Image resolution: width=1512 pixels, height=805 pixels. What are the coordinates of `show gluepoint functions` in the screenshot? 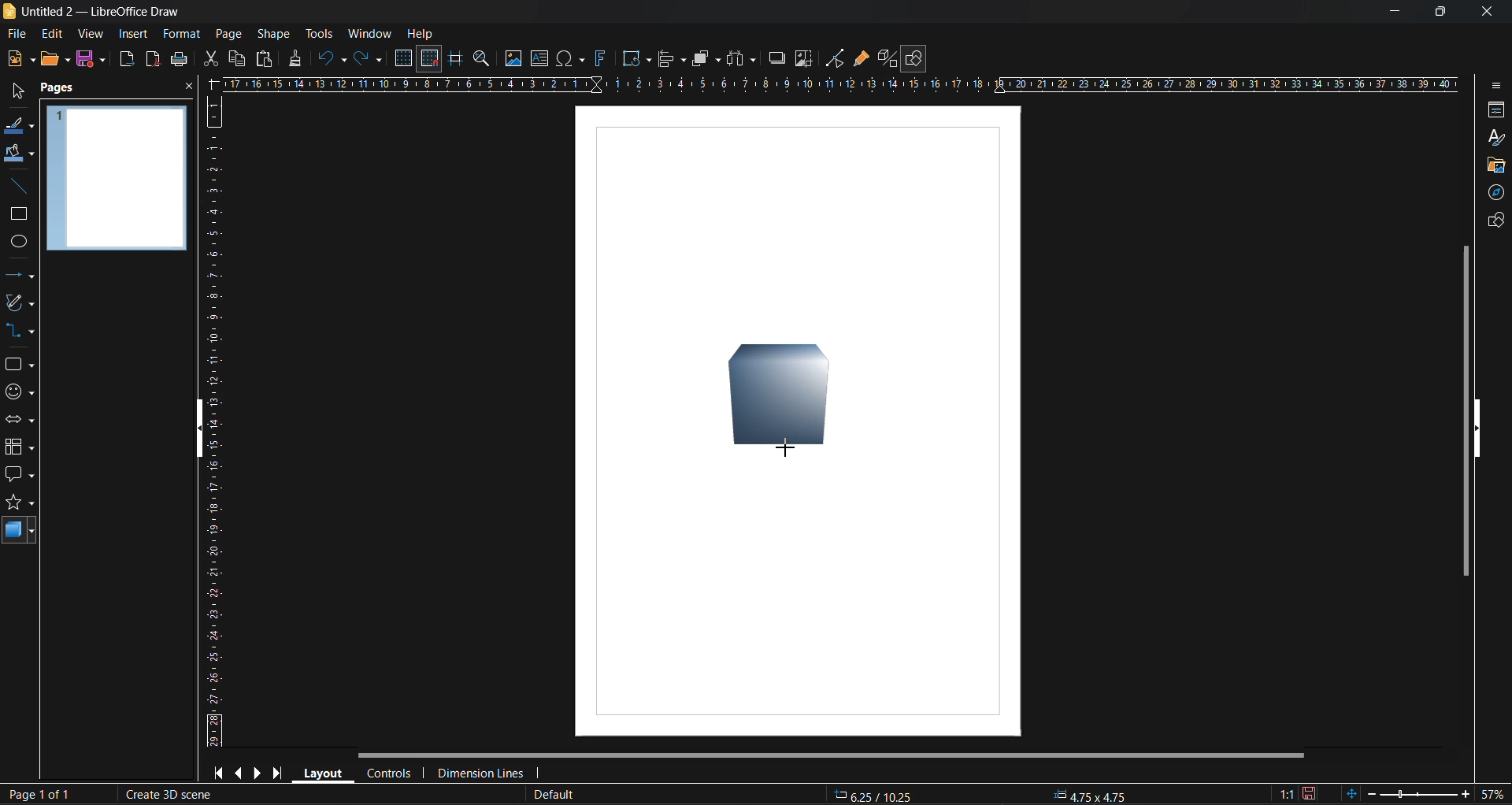 It's located at (861, 59).